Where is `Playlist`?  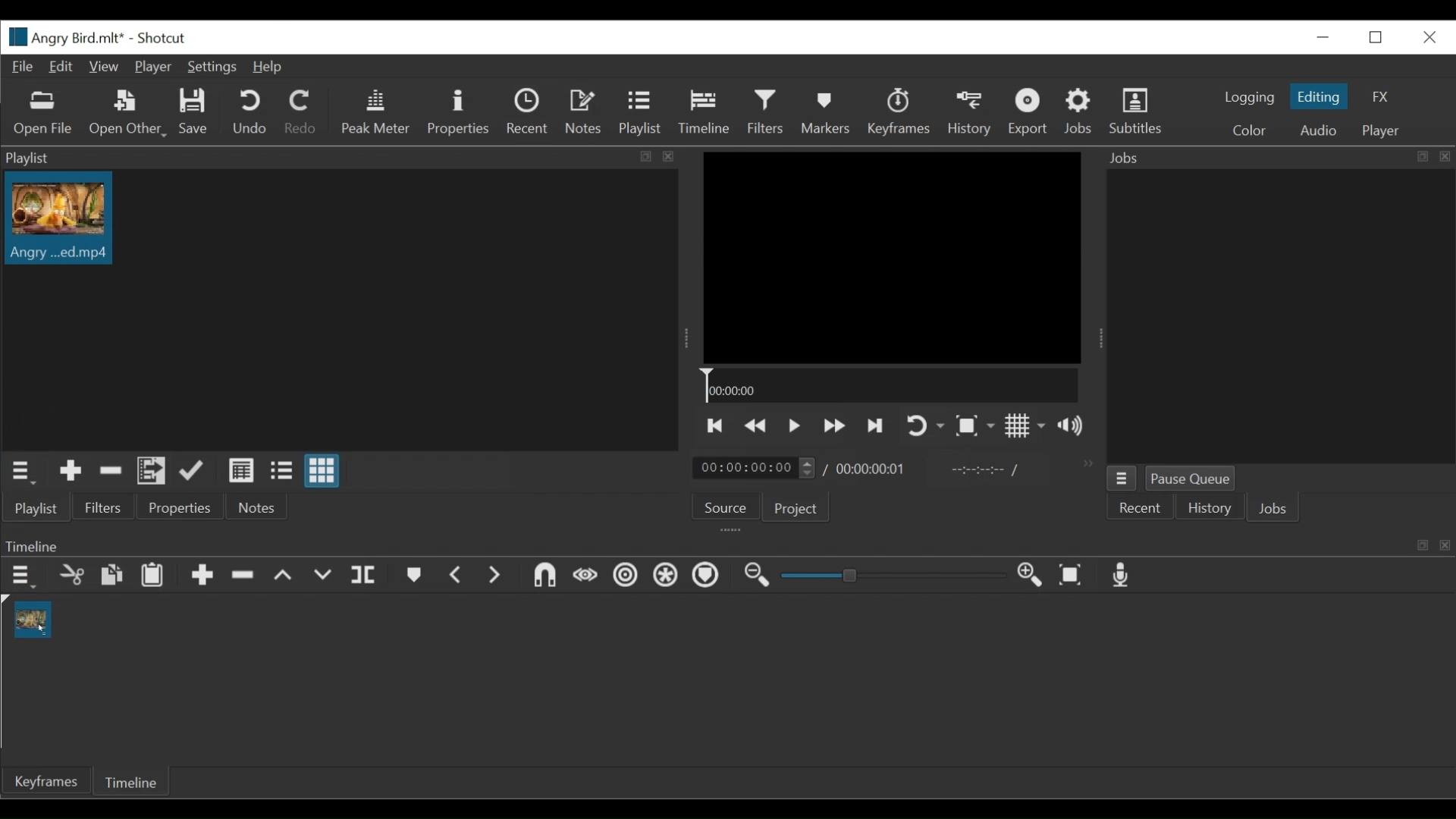
Playlist is located at coordinates (640, 111).